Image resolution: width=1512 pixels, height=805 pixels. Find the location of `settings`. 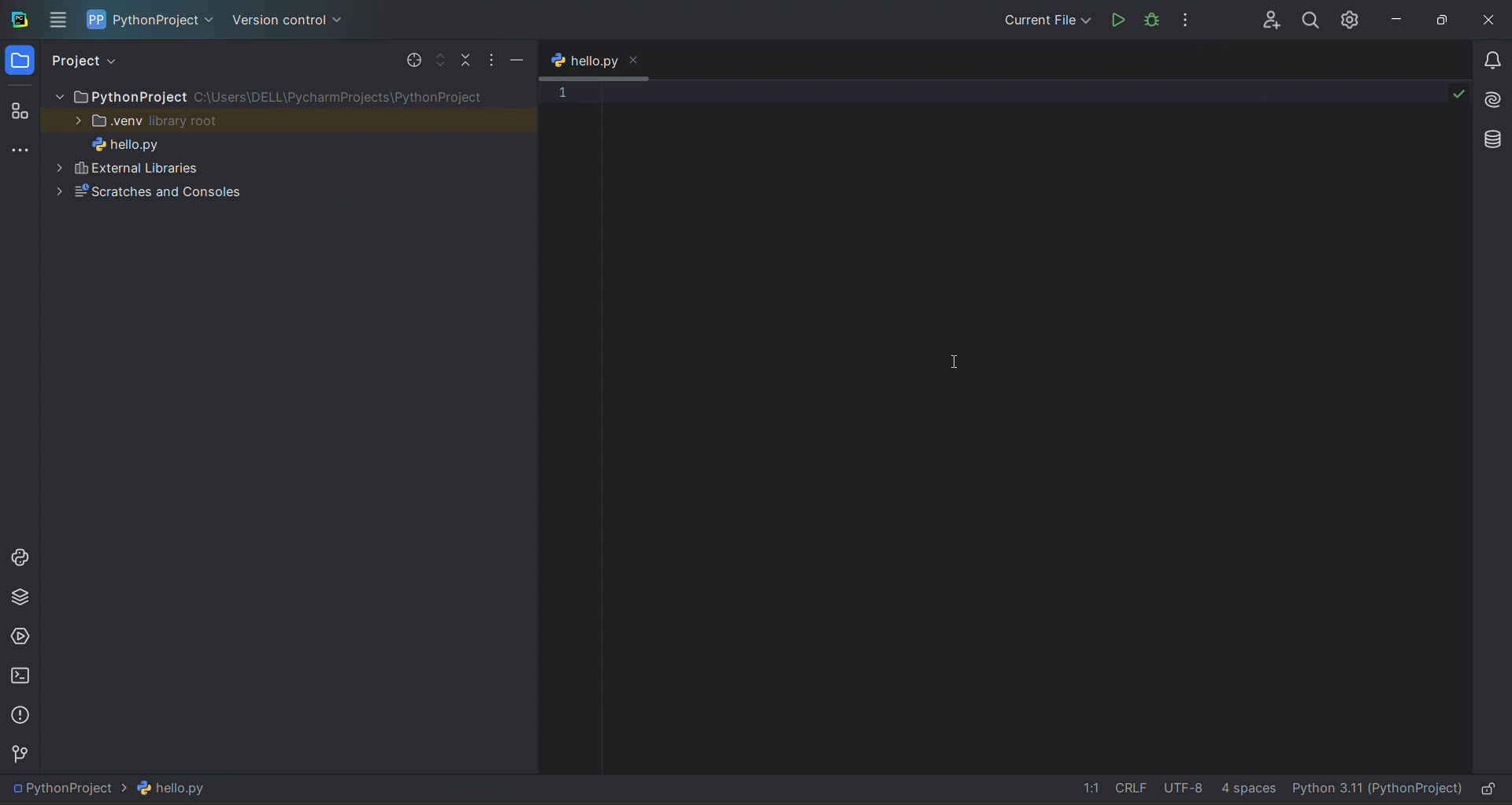

settings is located at coordinates (1353, 20).